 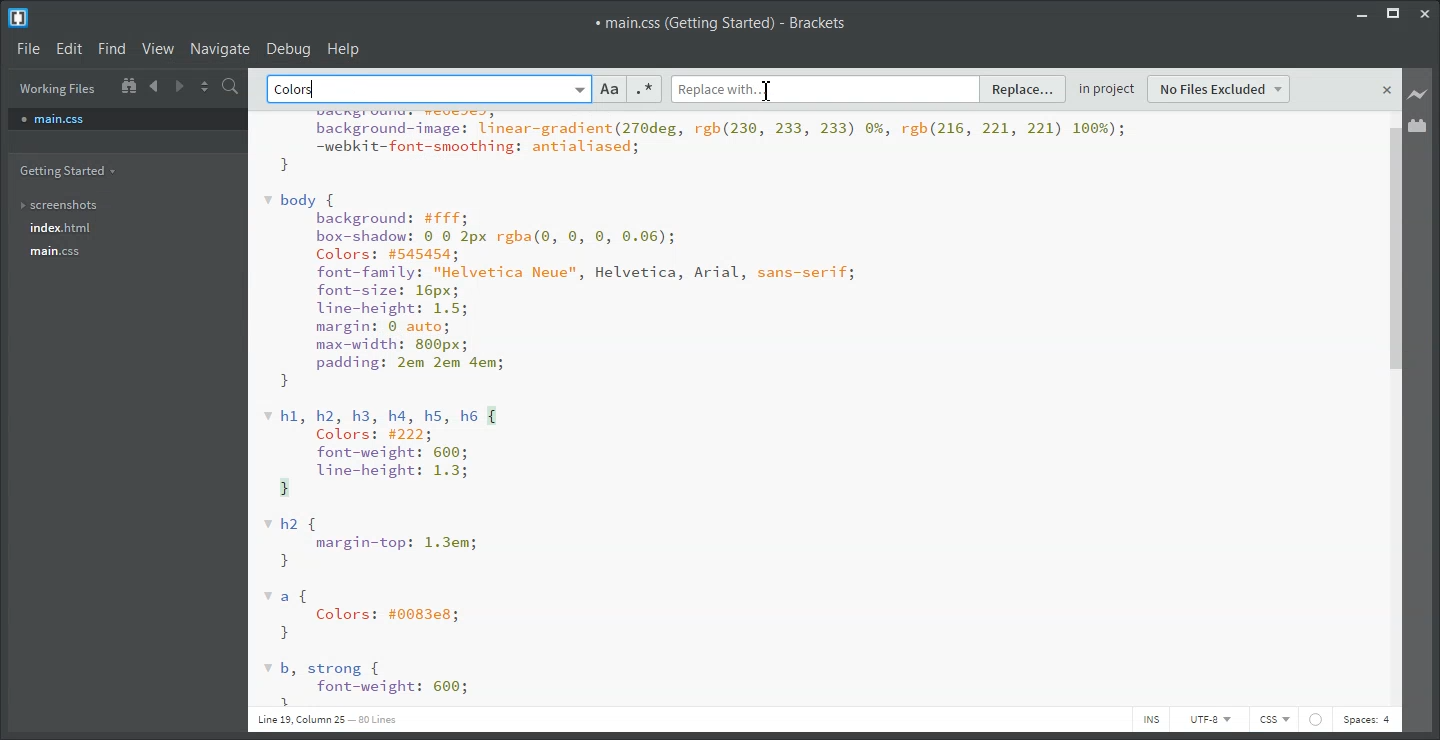 What do you see at coordinates (1208, 719) in the screenshot?
I see `UTF-8` at bounding box center [1208, 719].